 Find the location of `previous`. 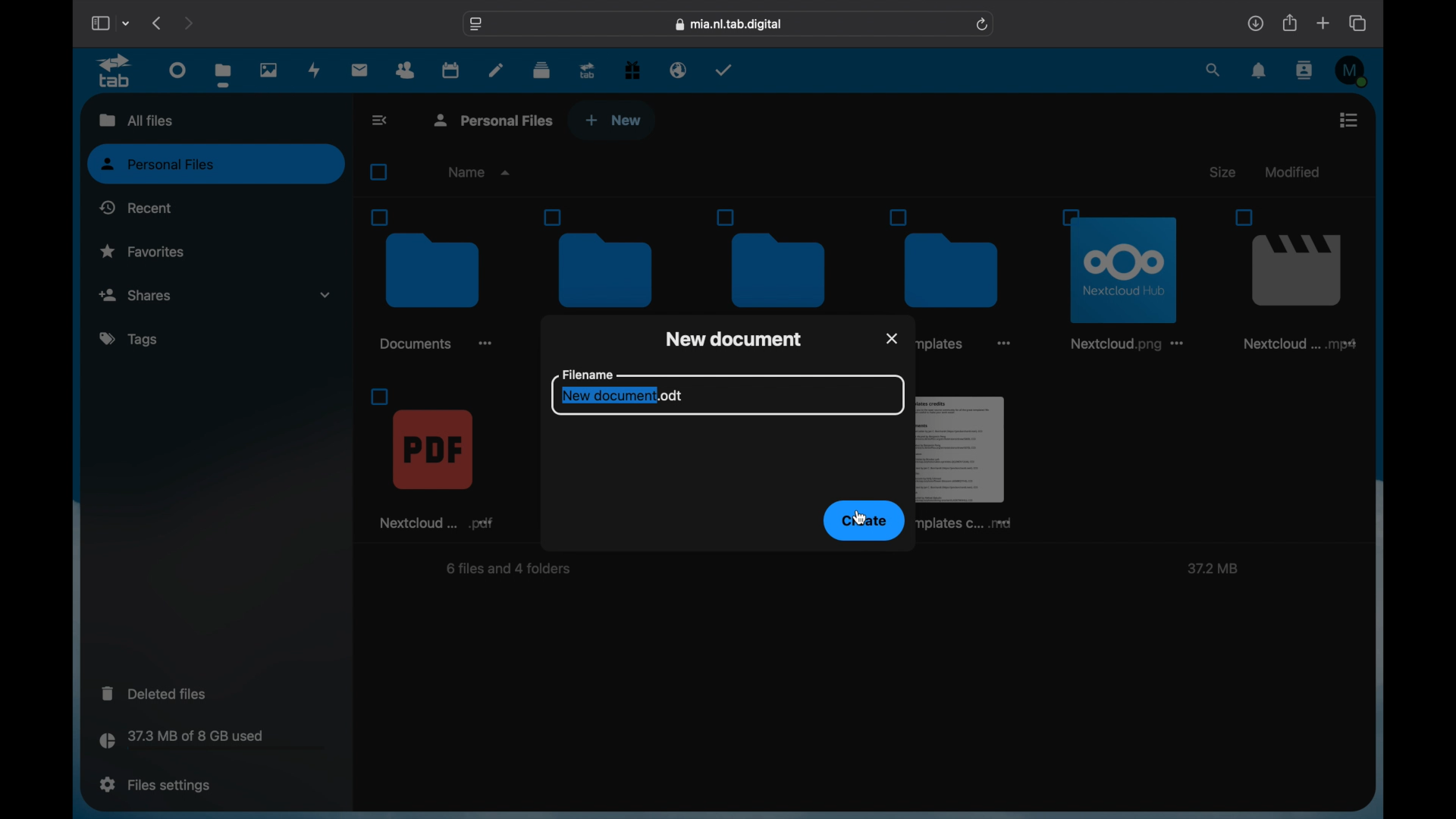

previous is located at coordinates (158, 23).